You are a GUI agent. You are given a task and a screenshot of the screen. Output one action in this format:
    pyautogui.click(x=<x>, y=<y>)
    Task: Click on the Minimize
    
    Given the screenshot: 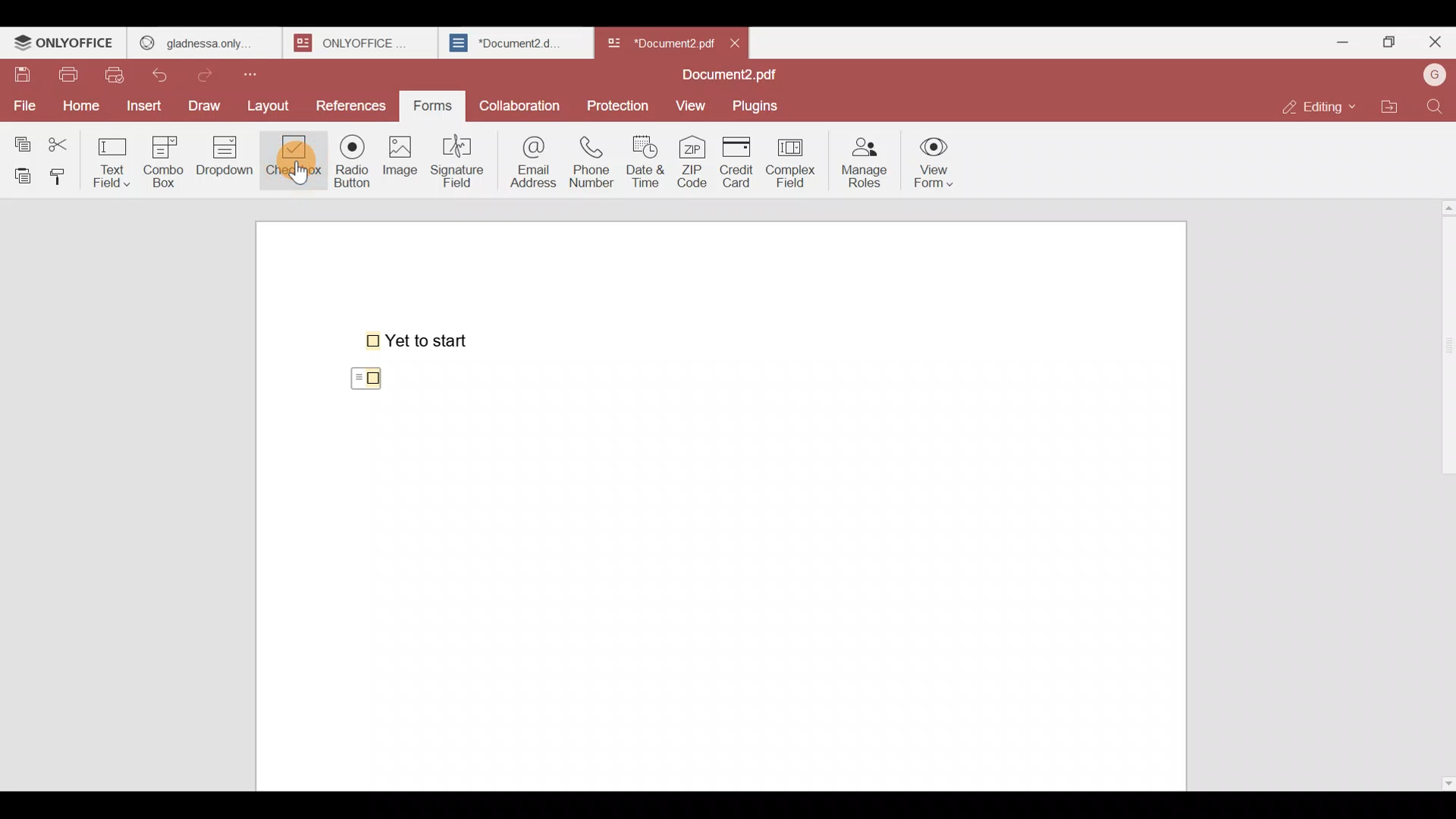 What is the action you would take?
    pyautogui.click(x=1336, y=39)
    